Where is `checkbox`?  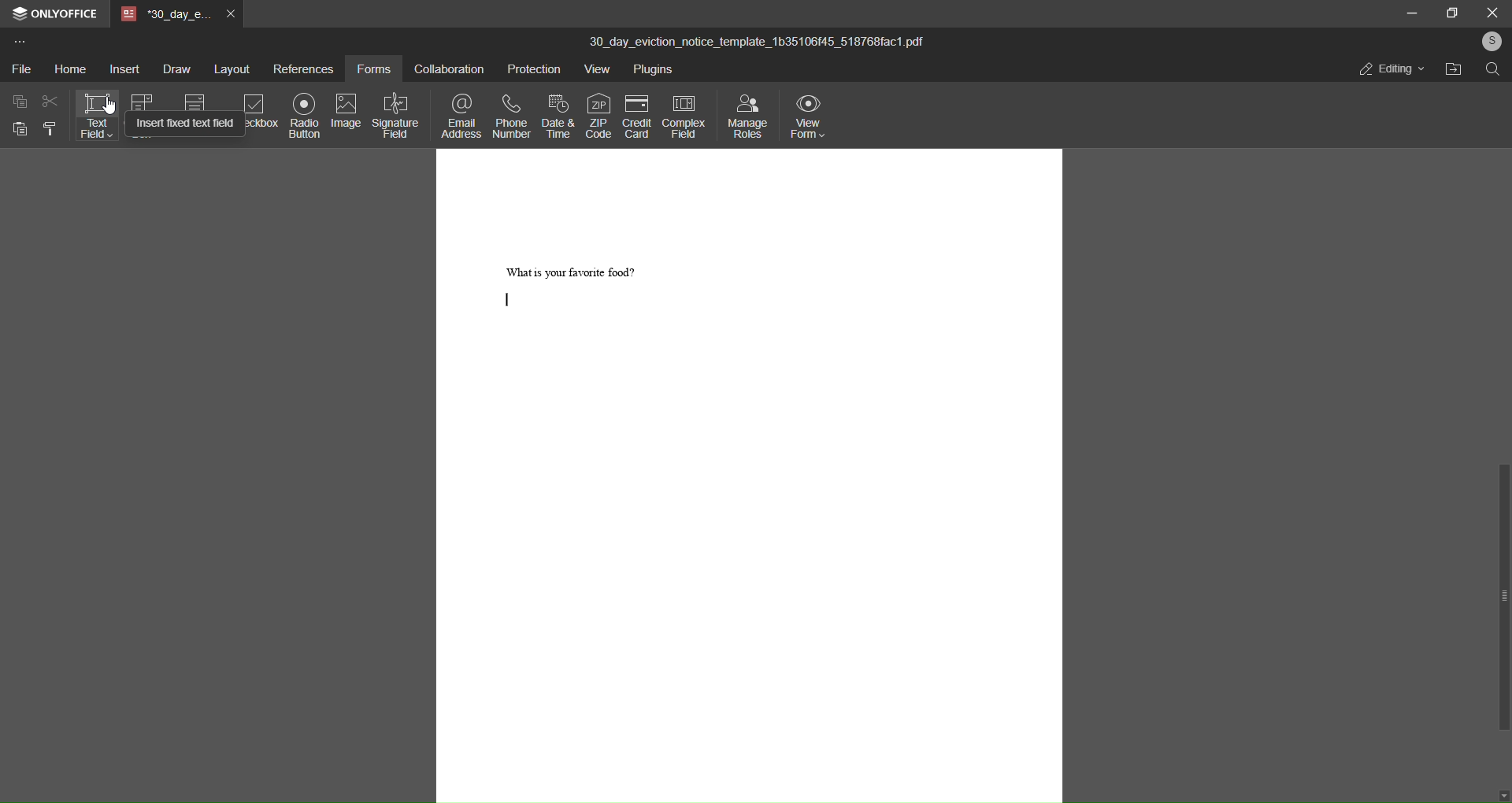 checkbox is located at coordinates (253, 102).